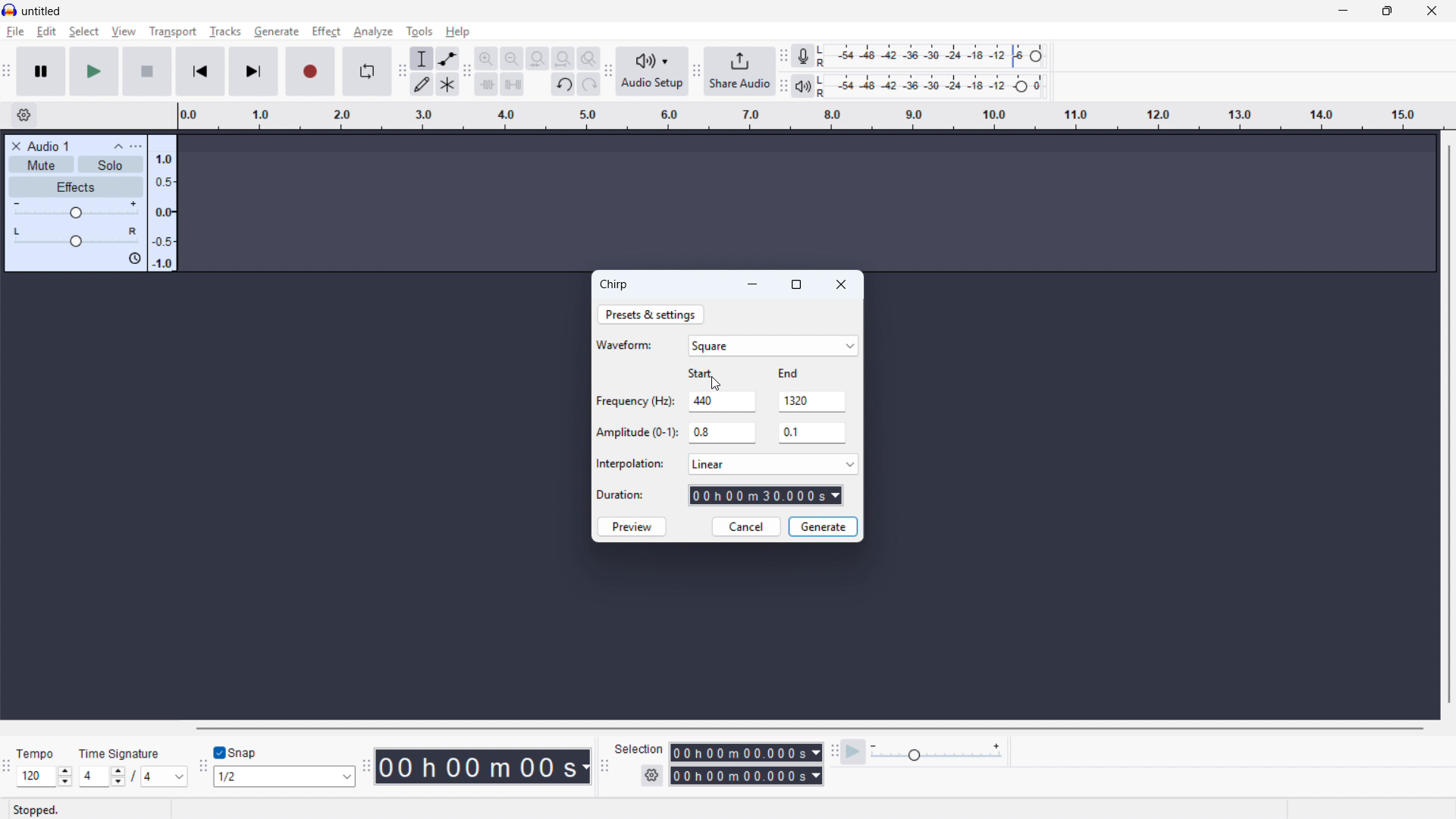 The width and height of the screenshot is (1456, 819). What do you see at coordinates (512, 58) in the screenshot?
I see `Zoom out ` at bounding box center [512, 58].